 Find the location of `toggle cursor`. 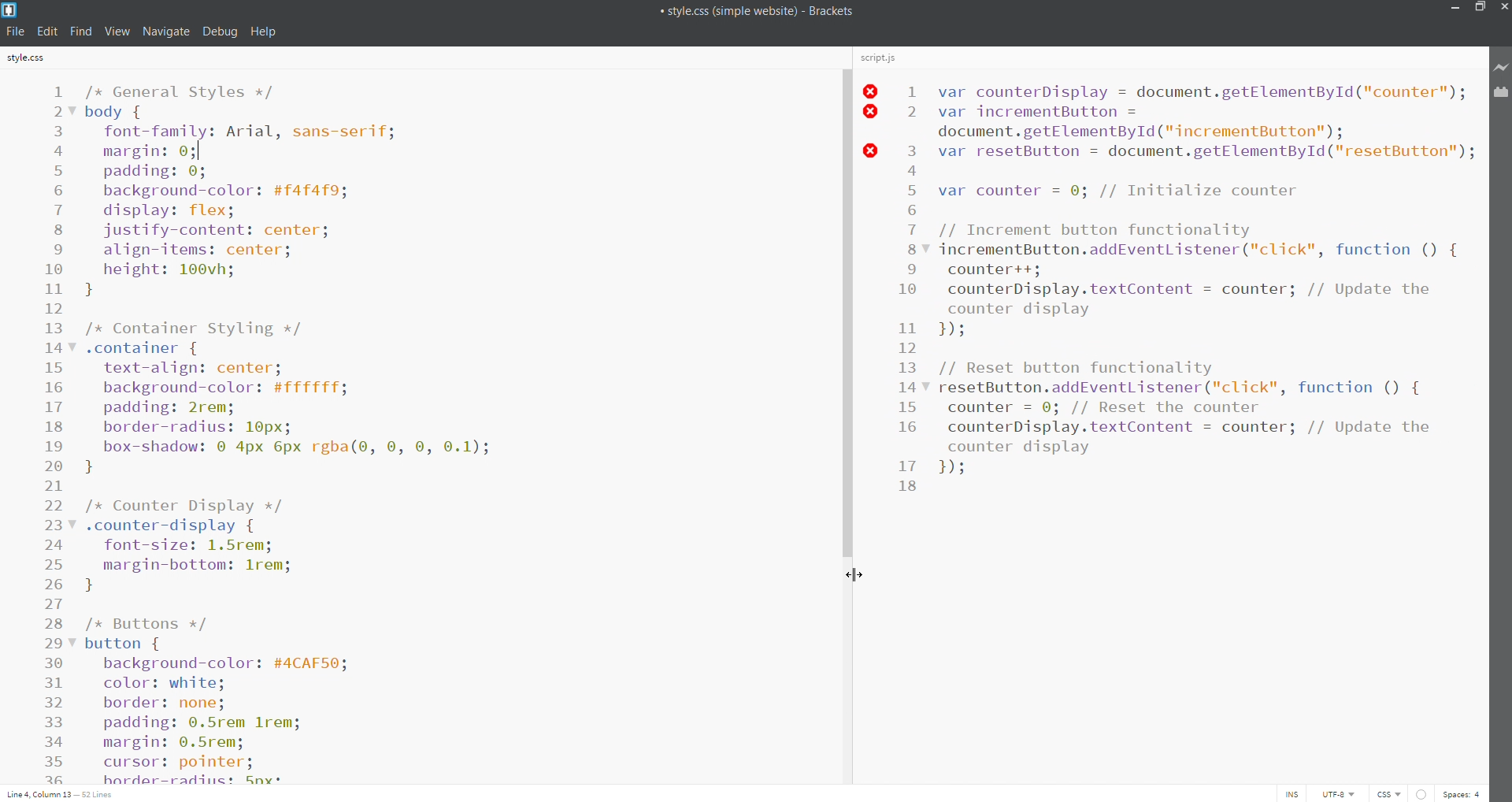

toggle cursor is located at coordinates (1288, 793).